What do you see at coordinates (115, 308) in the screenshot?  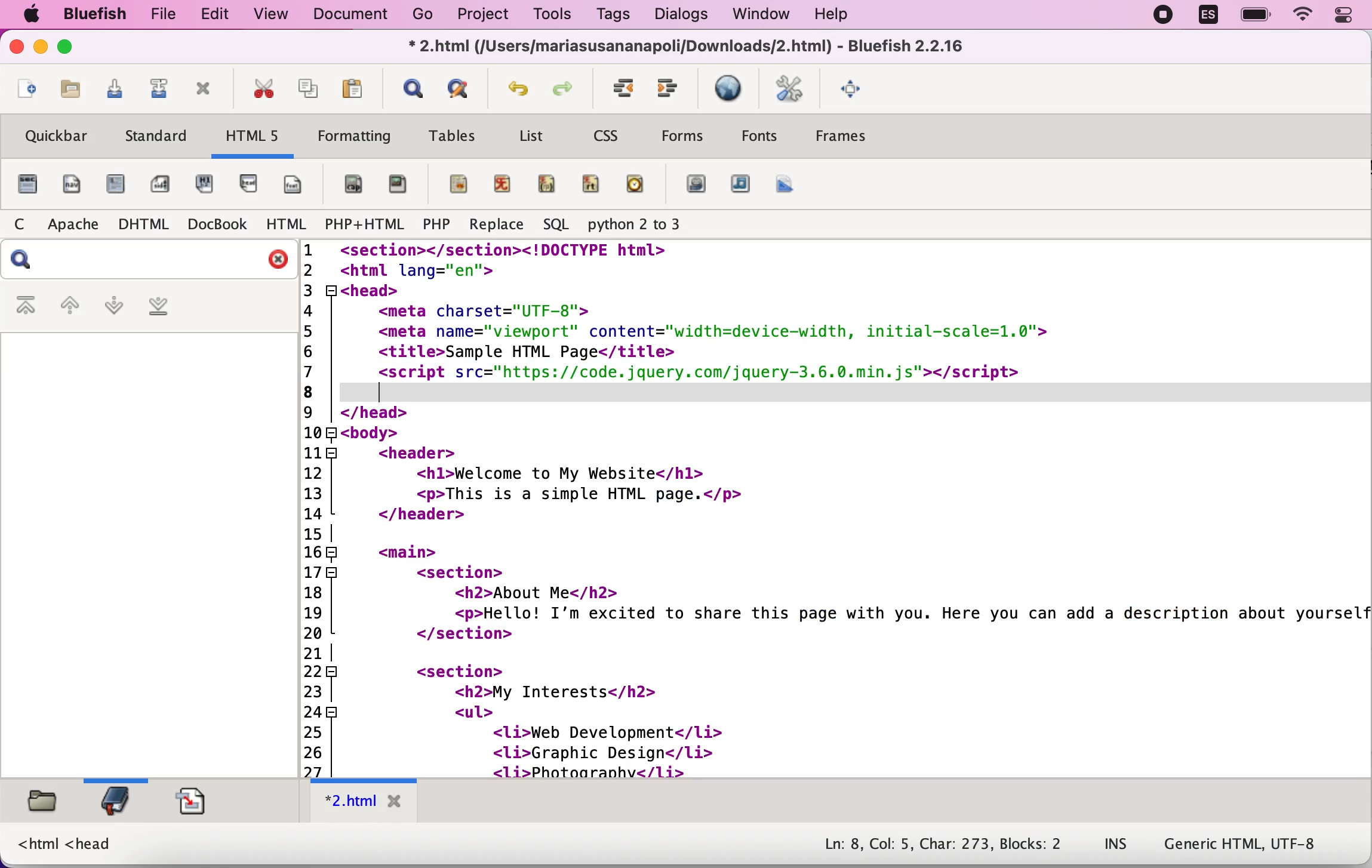 I see `next bookmark` at bounding box center [115, 308].